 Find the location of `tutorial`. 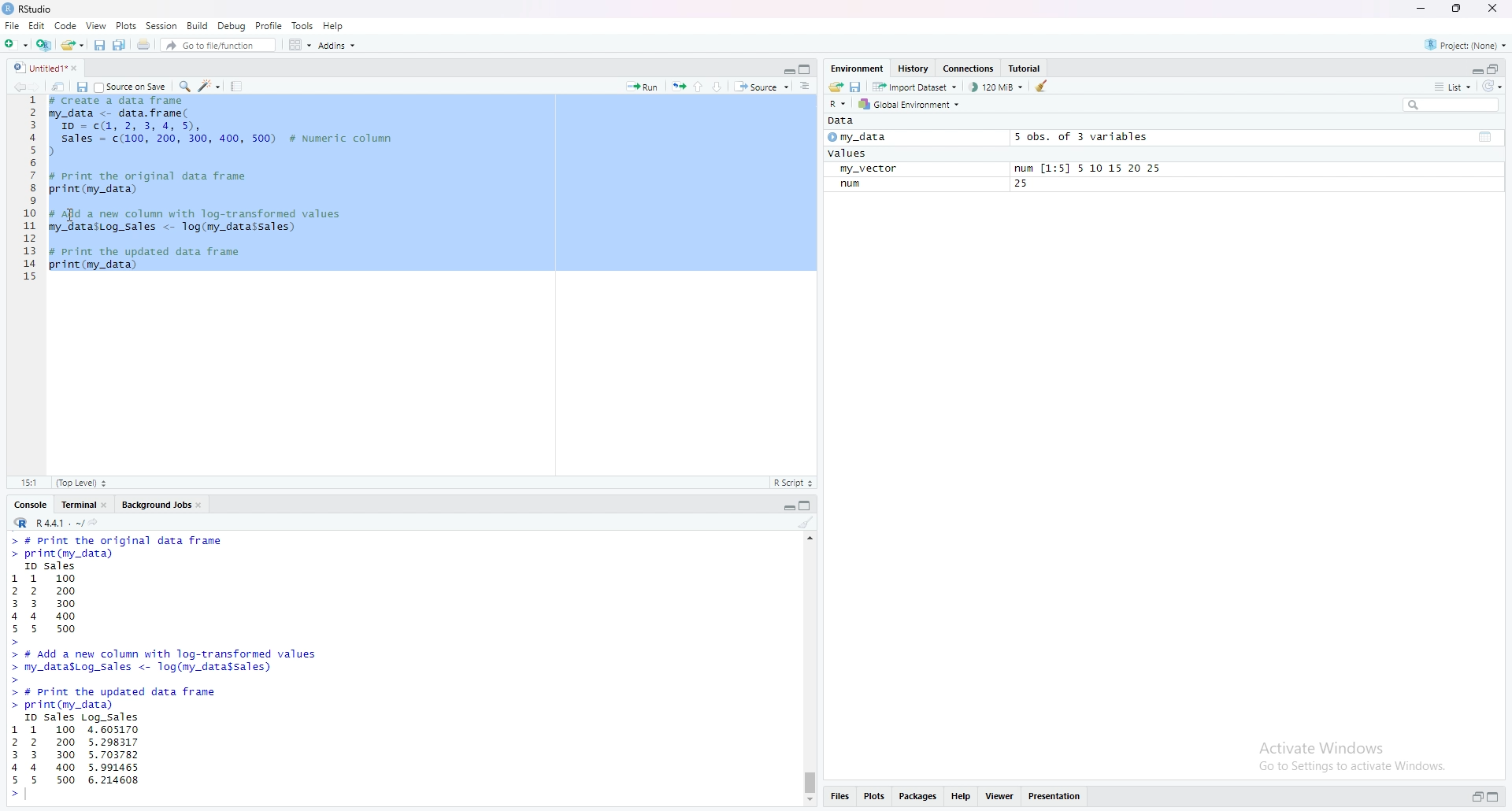

tutorial is located at coordinates (1025, 69).